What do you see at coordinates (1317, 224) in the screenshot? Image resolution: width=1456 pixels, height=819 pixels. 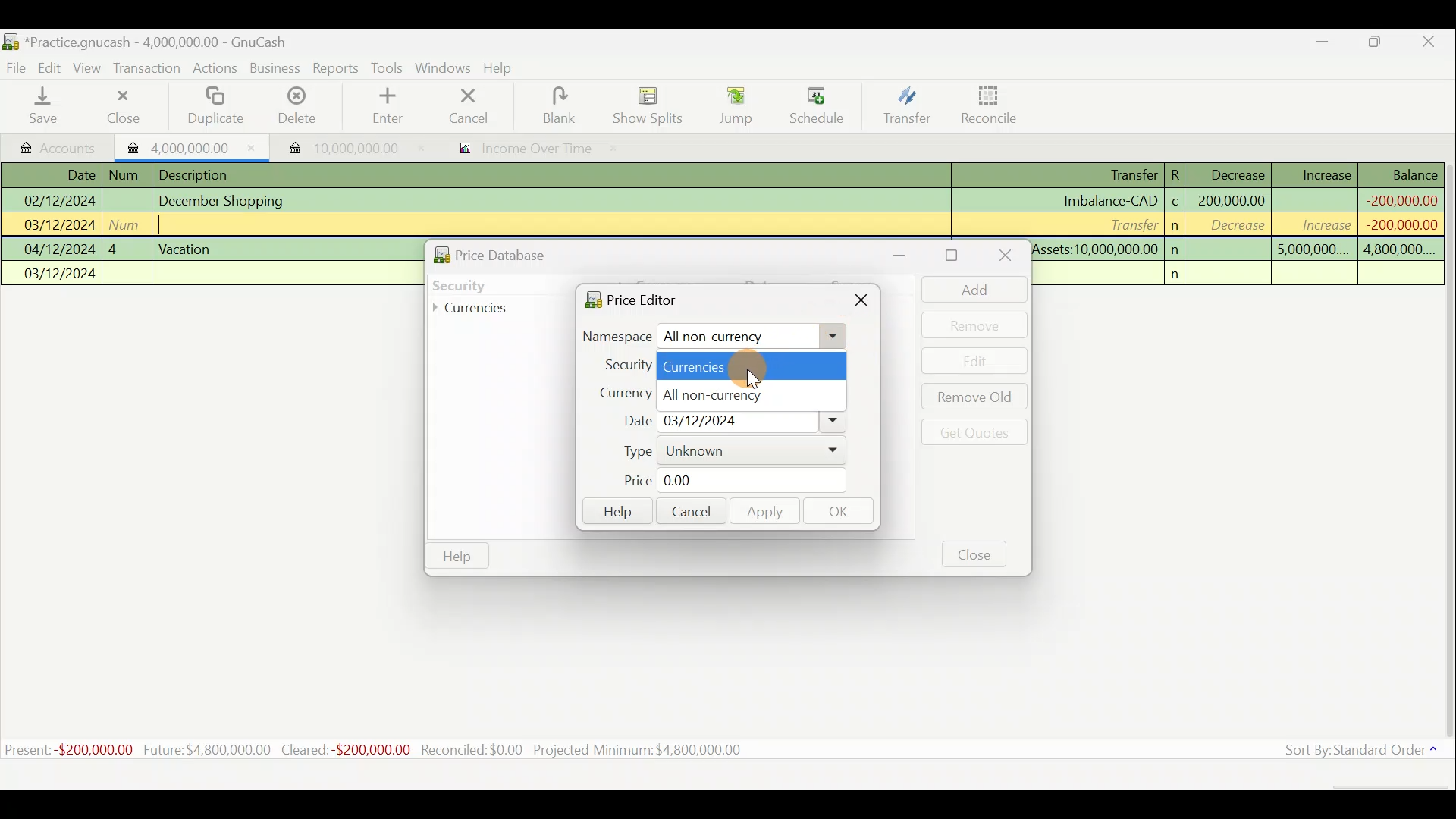 I see `increase` at bounding box center [1317, 224].